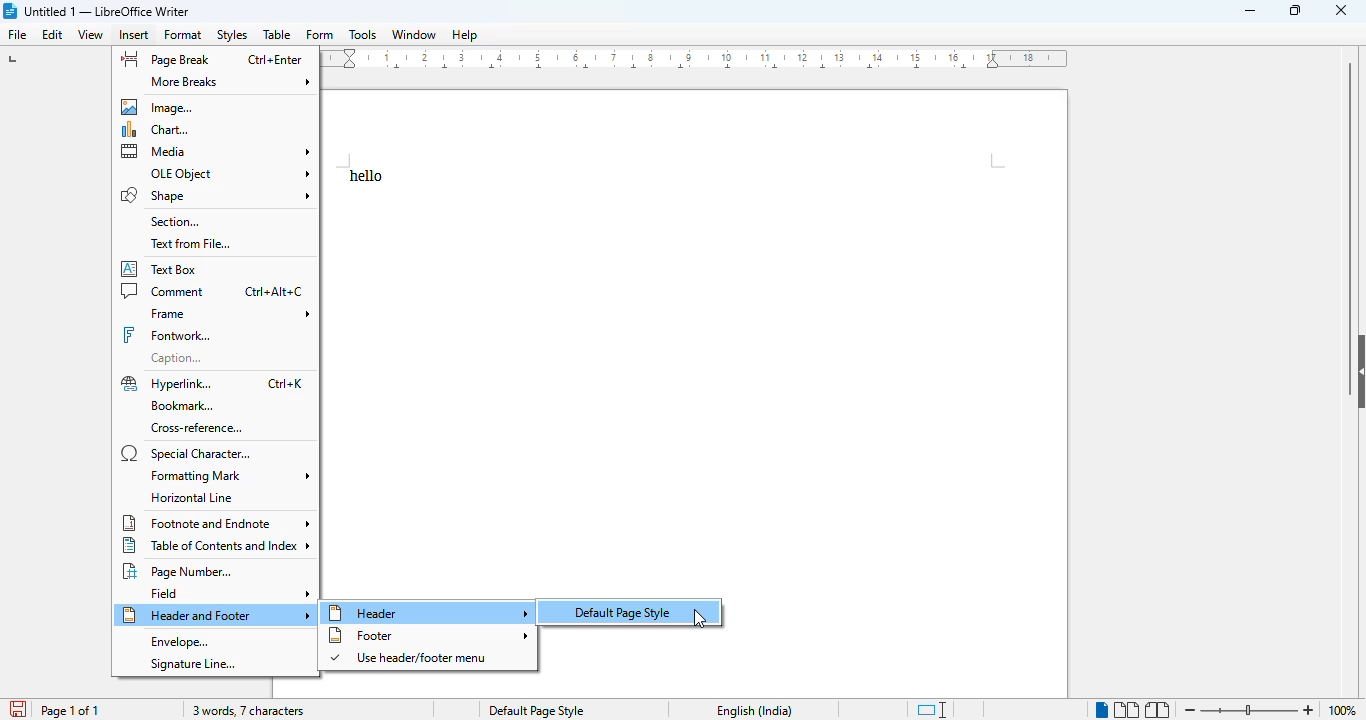 The image size is (1366, 720). I want to click on multi-page view, so click(1126, 710).